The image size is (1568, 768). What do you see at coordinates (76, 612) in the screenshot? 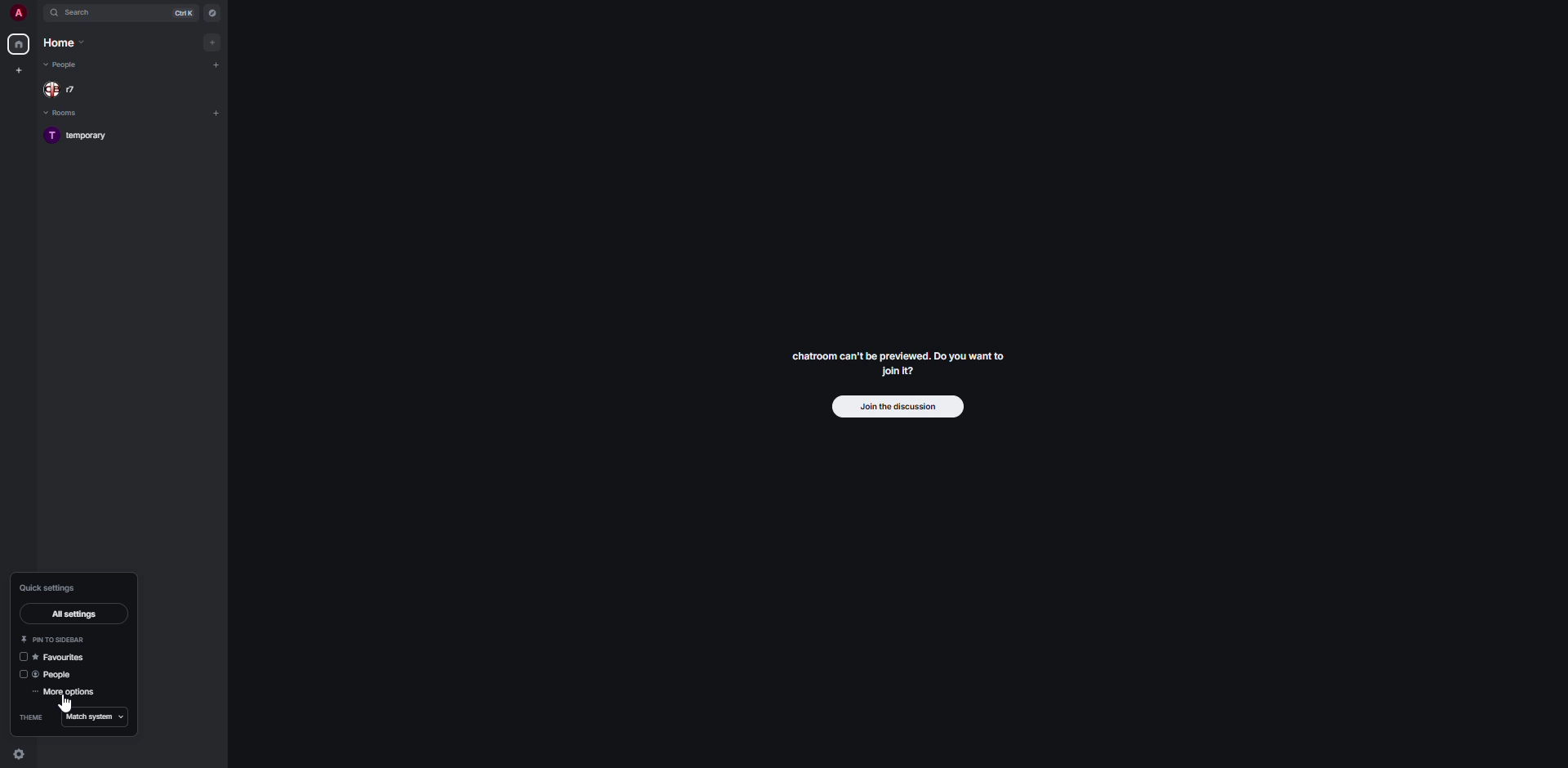
I see `all settings` at bounding box center [76, 612].